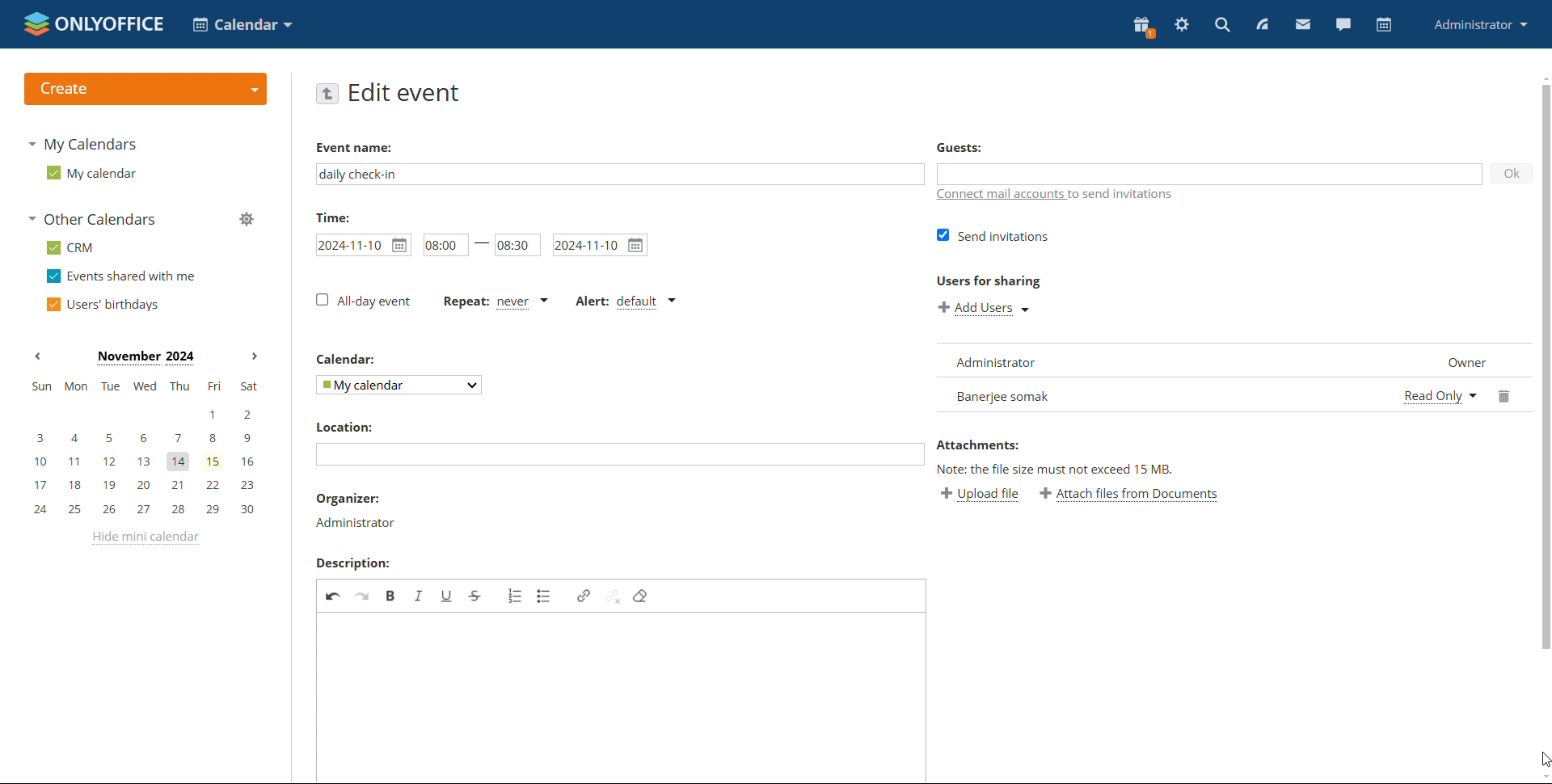 The image size is (1552, 784). I want to click on cursor, so click(1541, 757).